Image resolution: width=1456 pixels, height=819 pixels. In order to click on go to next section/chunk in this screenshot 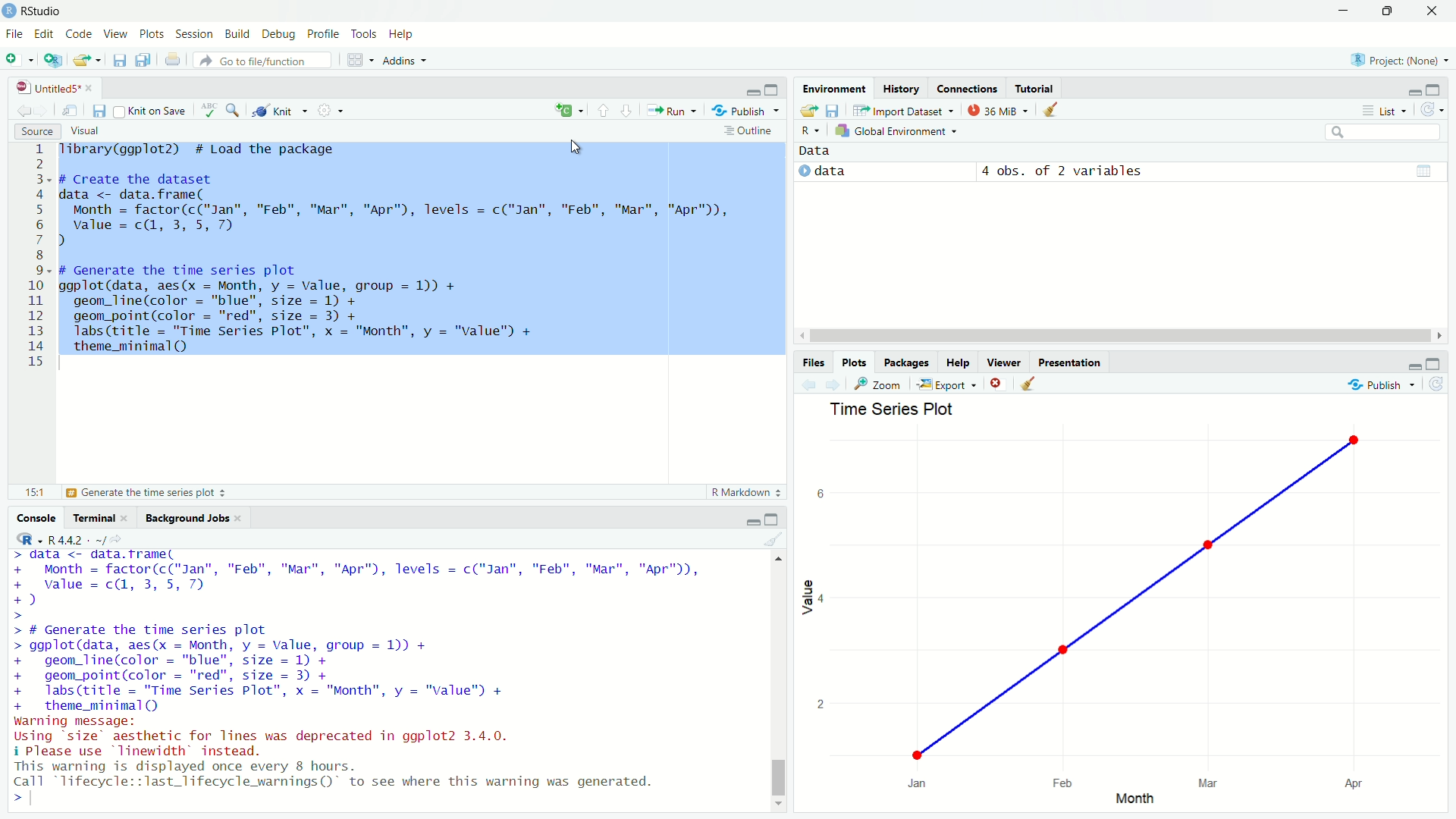, I will do `click(627, 111)`.